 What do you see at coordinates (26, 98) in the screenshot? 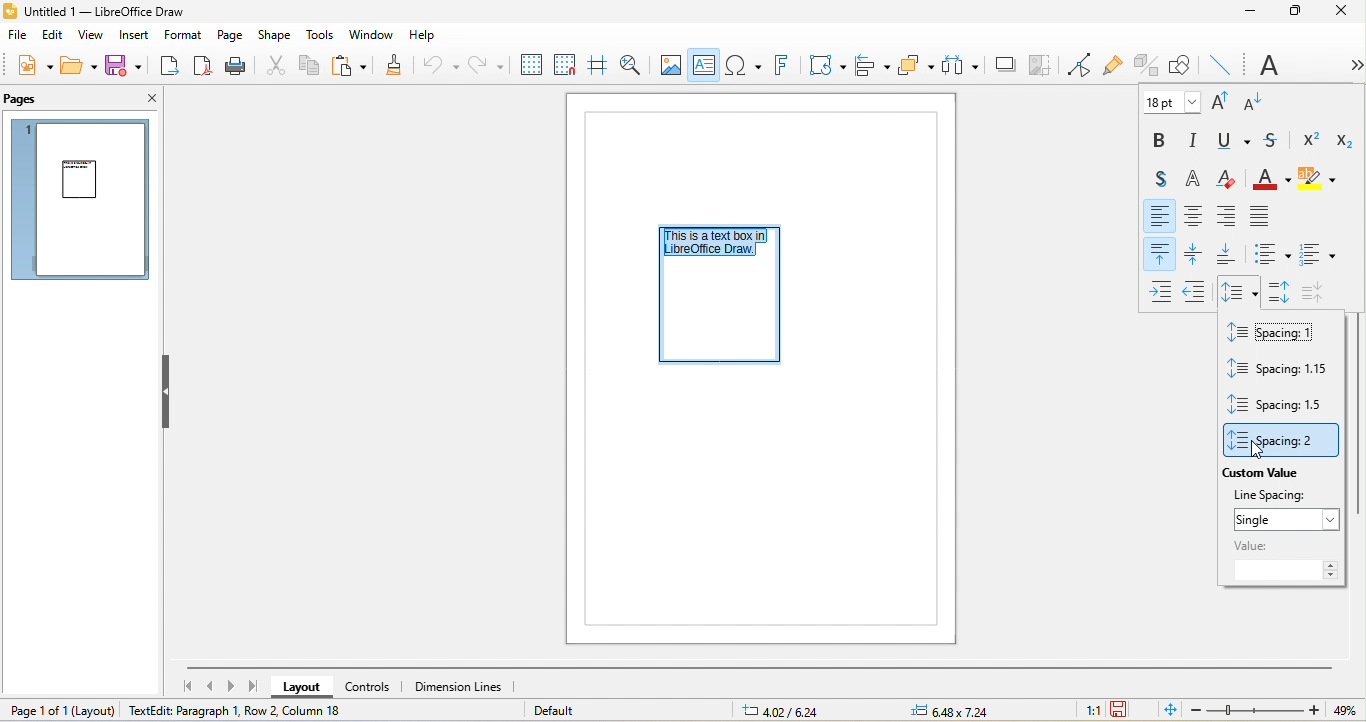
I see `pages` at bounding box center [26, 98].